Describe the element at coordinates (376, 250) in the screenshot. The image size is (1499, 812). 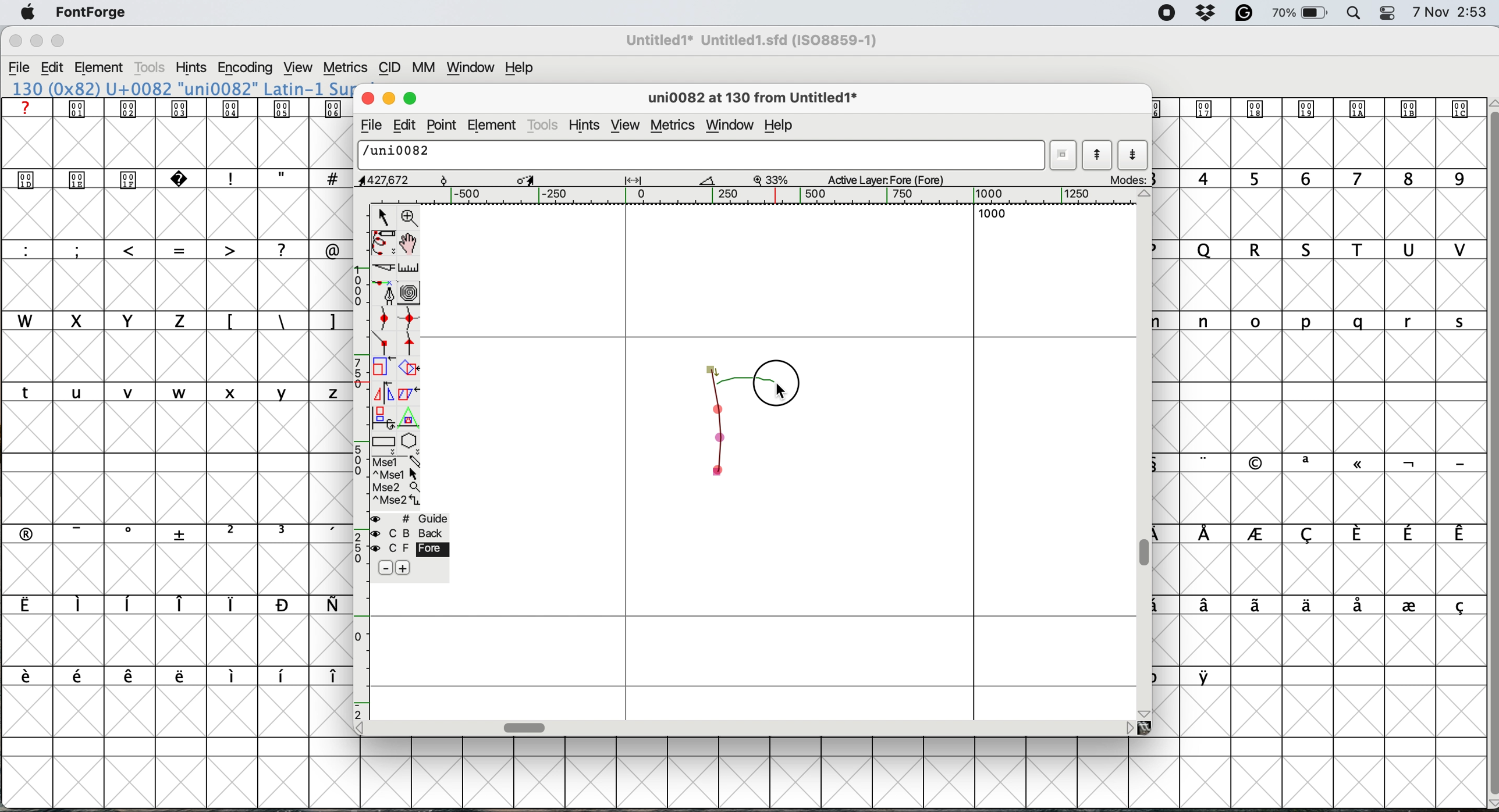
I see `uppercase letters` at that location.